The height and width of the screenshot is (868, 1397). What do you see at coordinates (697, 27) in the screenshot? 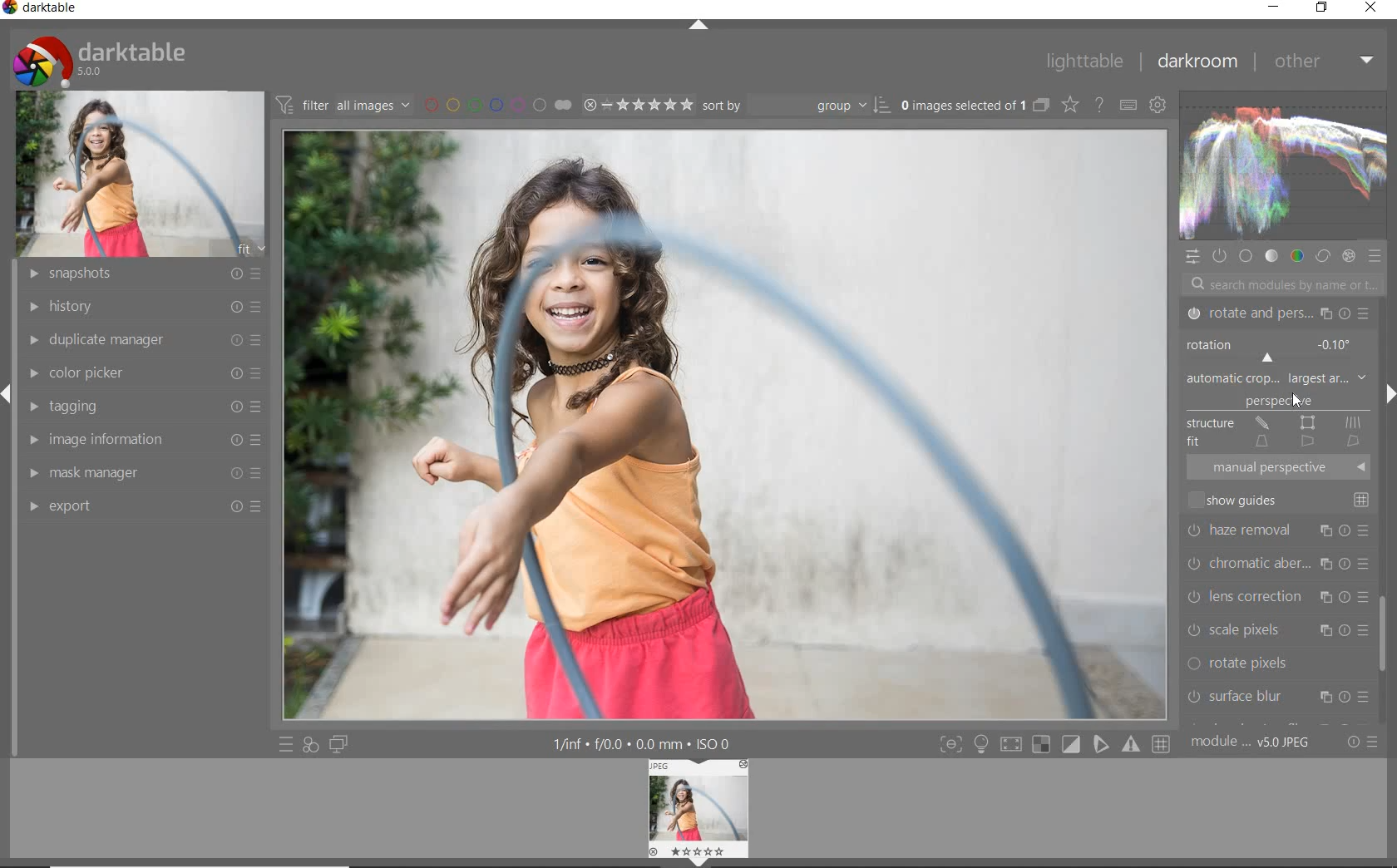
I see `expand/collapse` at bounding box center [697, 27].